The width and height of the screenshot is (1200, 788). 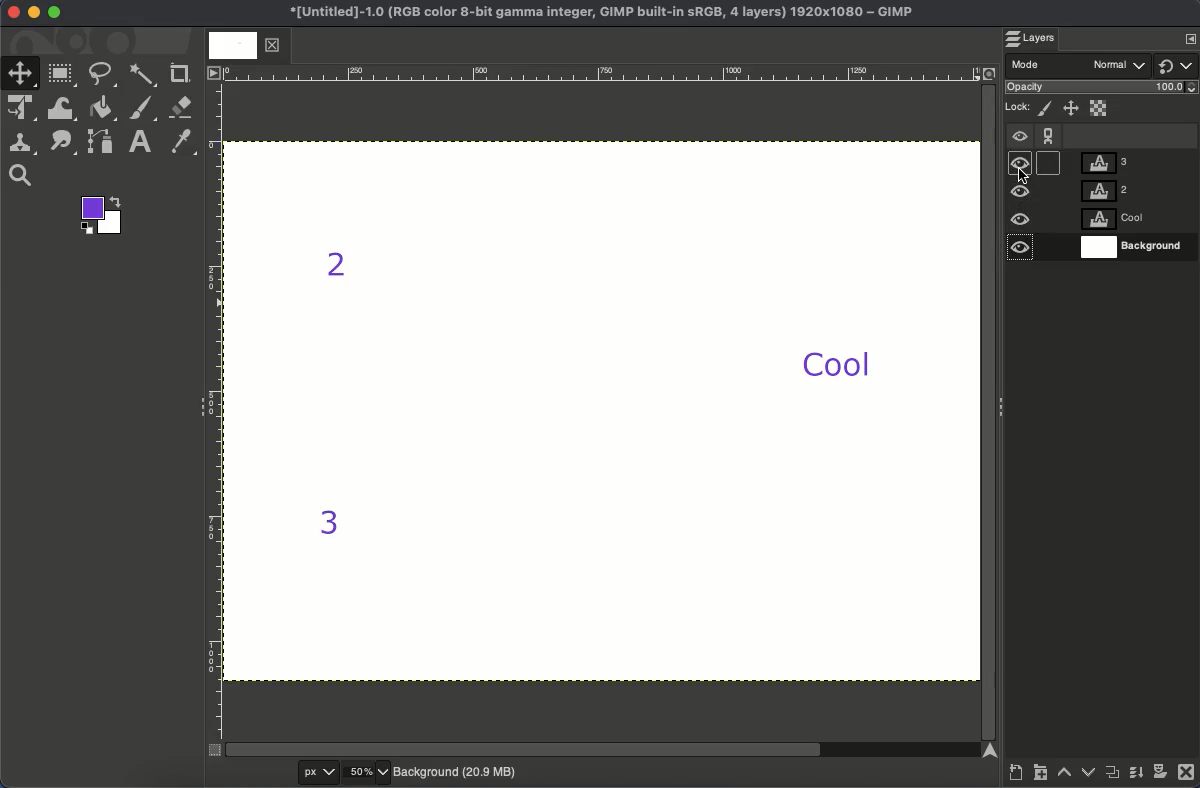 I want to click on Colors, so click(x=104, y=217).